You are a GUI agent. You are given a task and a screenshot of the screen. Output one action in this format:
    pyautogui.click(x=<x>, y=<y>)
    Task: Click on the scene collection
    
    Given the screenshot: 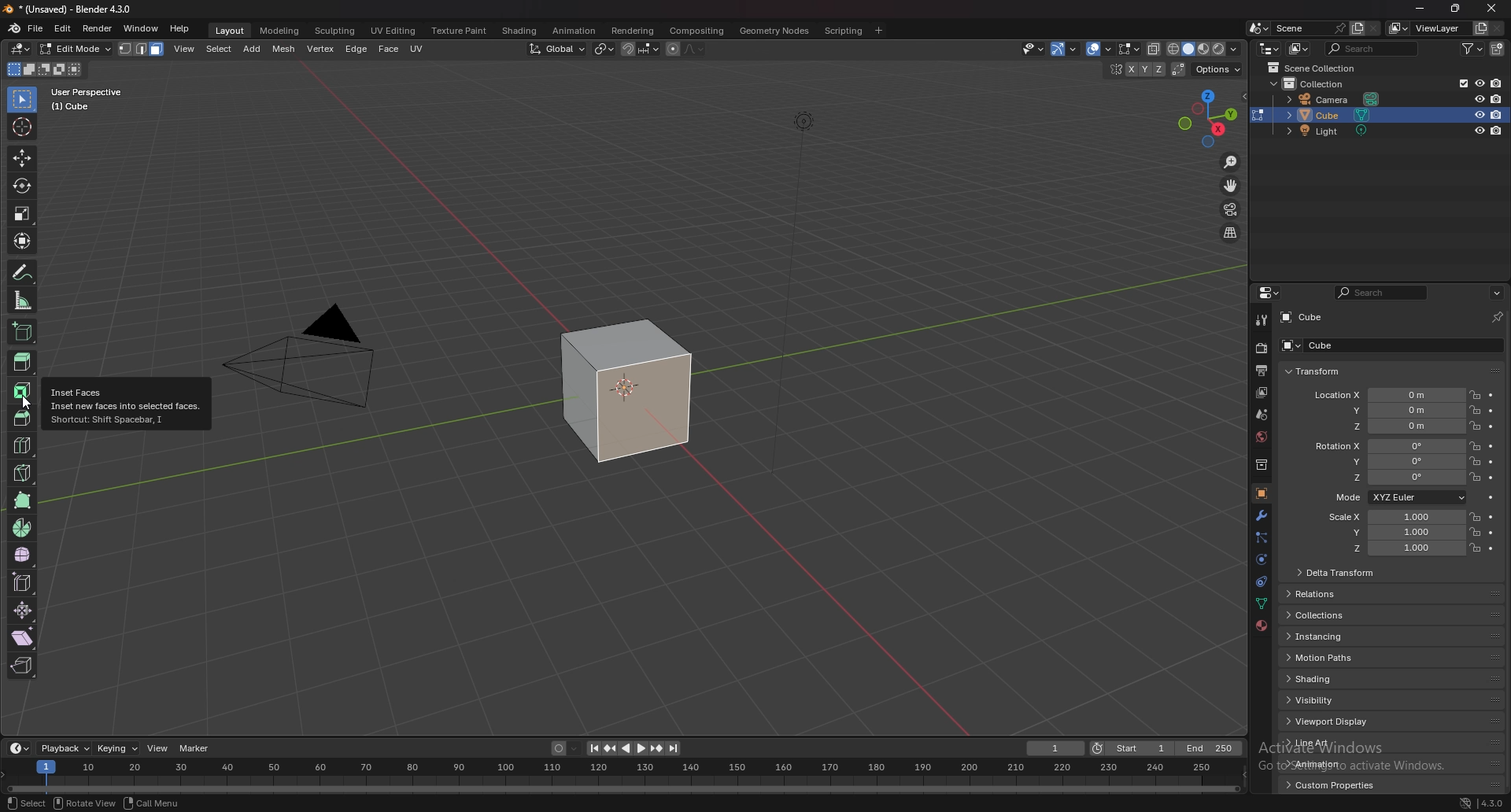 What is the action you would take?
    pyautogui.click(x=1313, y=68)
    